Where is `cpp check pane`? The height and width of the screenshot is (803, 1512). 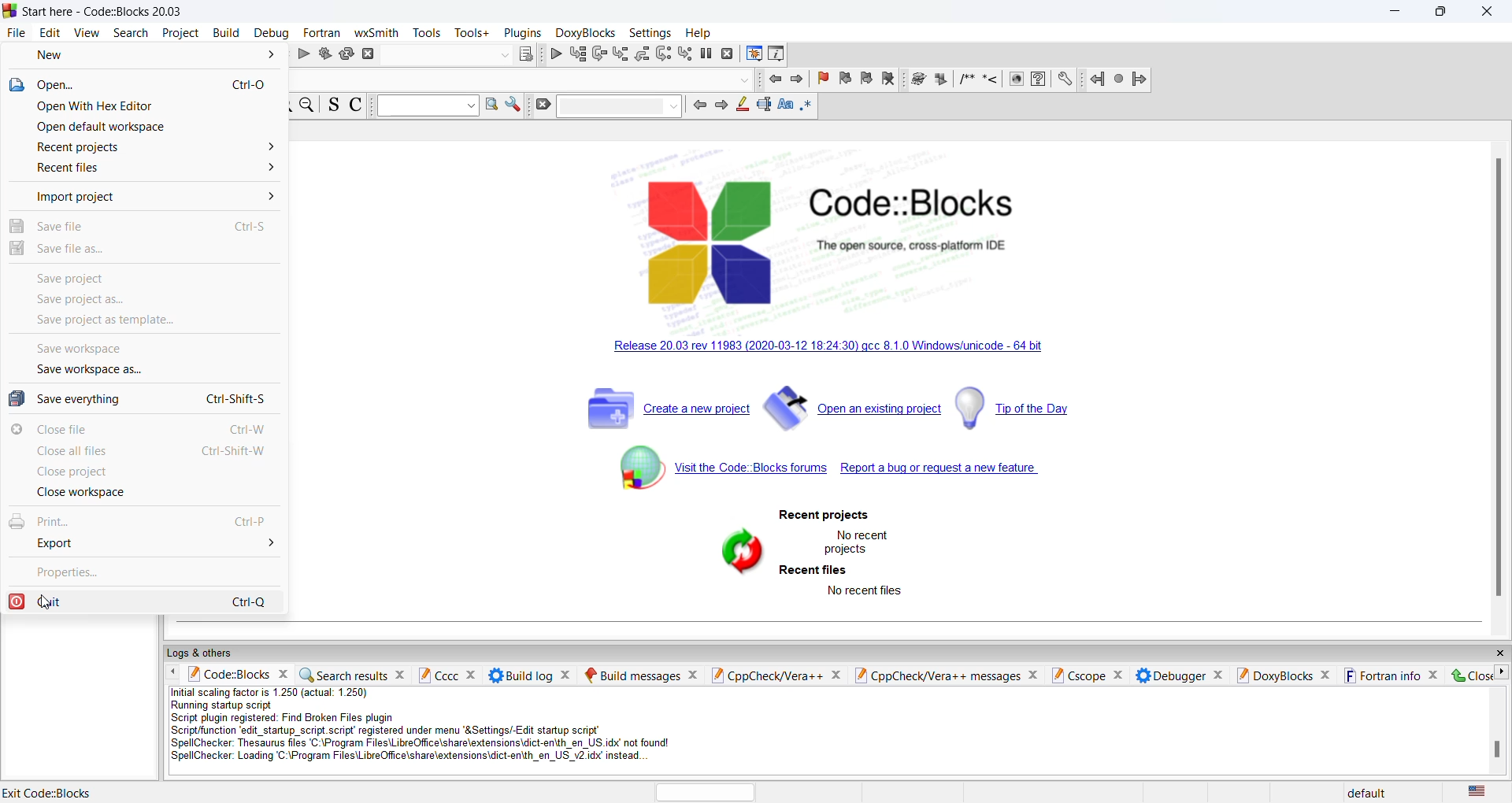 cpp check pane is located at coordinates (774, 673).